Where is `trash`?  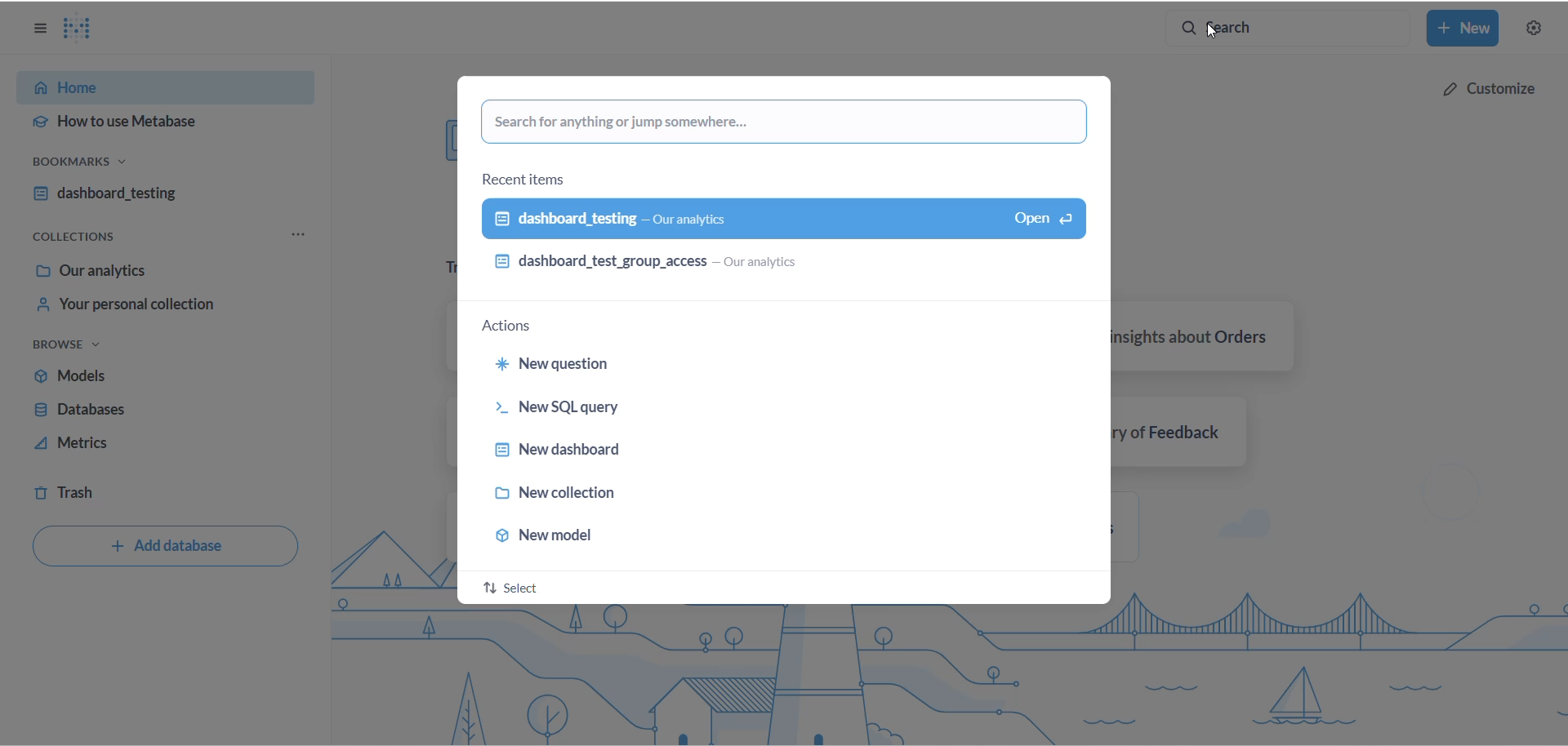
trash is located at coordinates (123, 493).